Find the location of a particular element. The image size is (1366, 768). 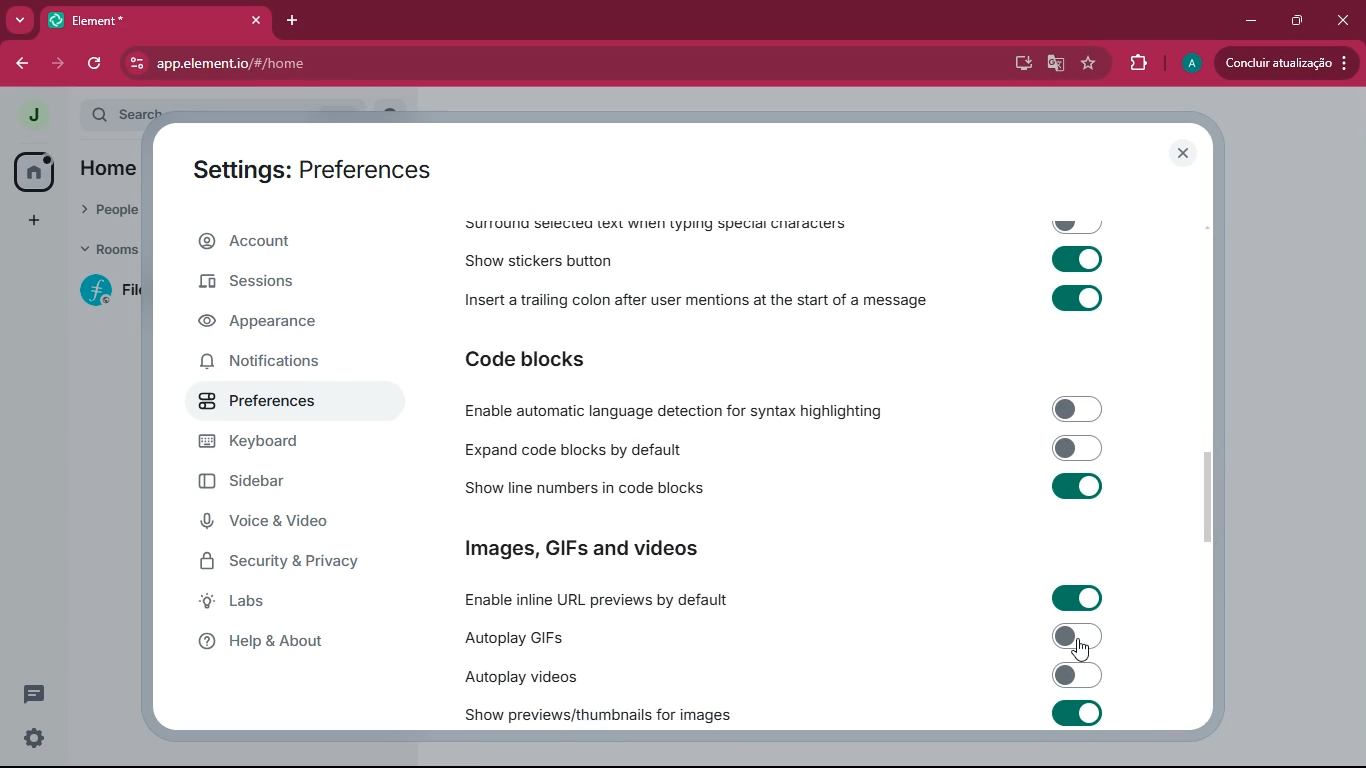

more is located at coordinates (19, 20).